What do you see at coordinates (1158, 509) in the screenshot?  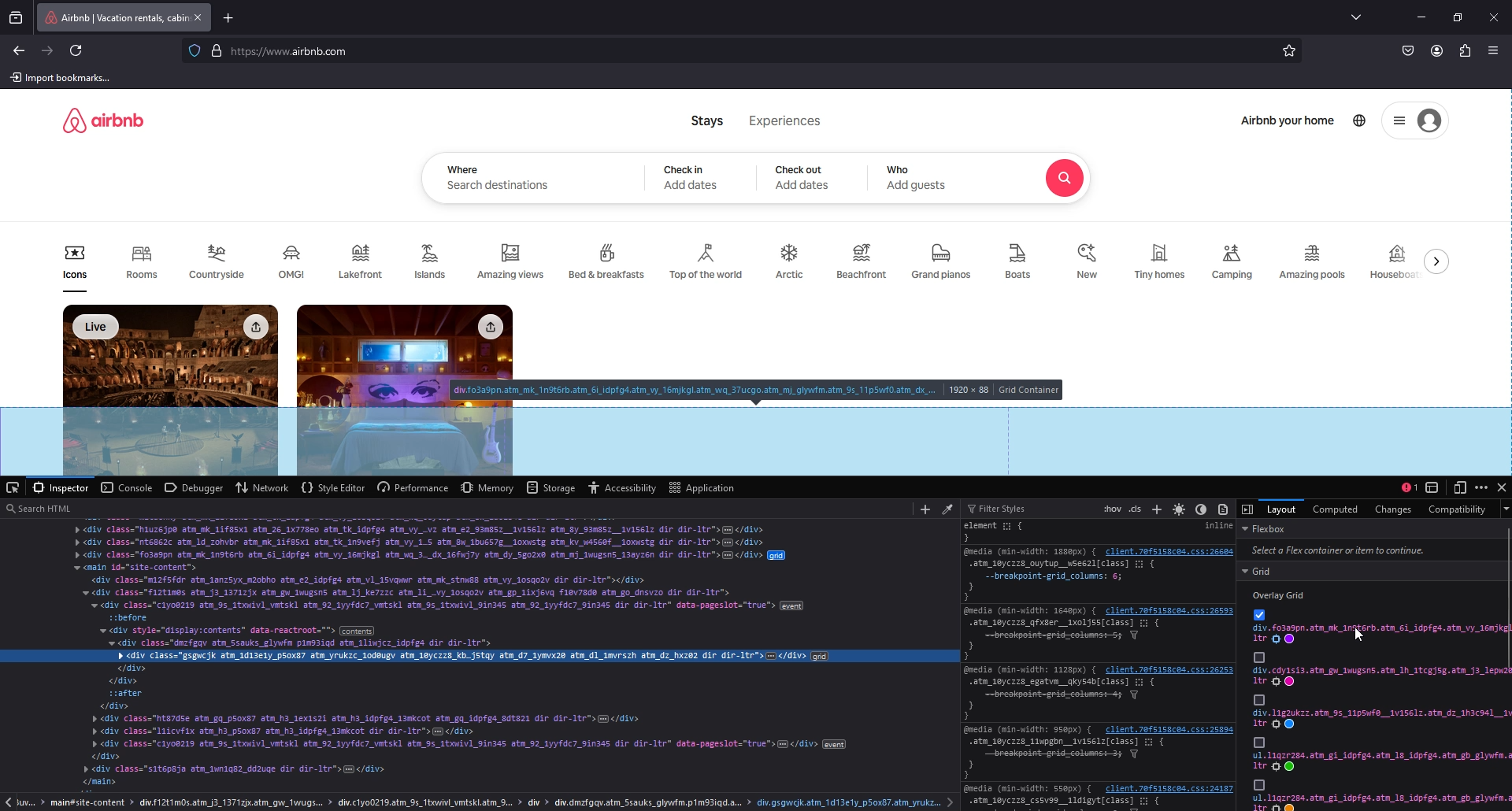 I see `add new rule` at bounding box center [1158, 509].